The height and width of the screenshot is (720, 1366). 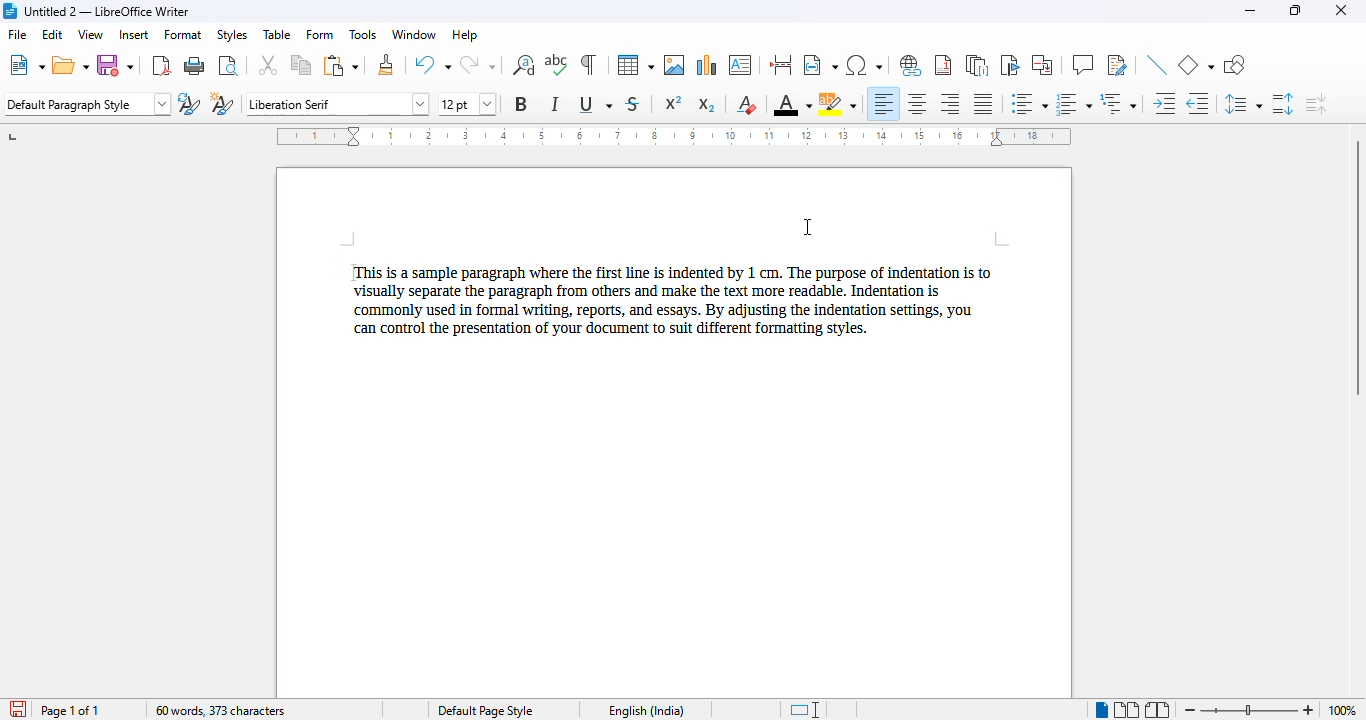 What do you see at coordinates (707, 105) in the screenshot?
I see `subscript` at bounding box center [707, 105].